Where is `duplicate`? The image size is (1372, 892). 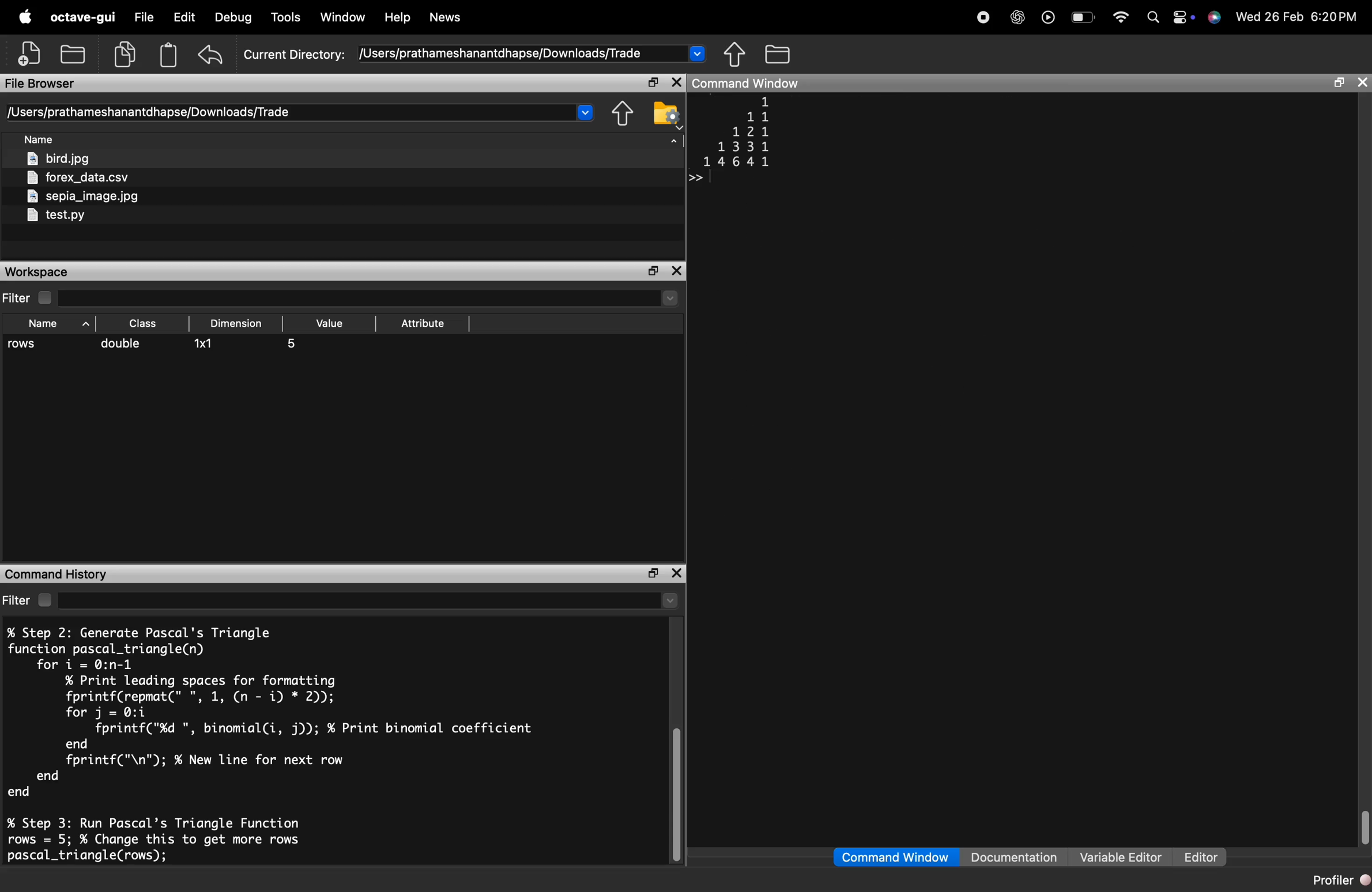
duplicate is located at coordinates (125, 54).